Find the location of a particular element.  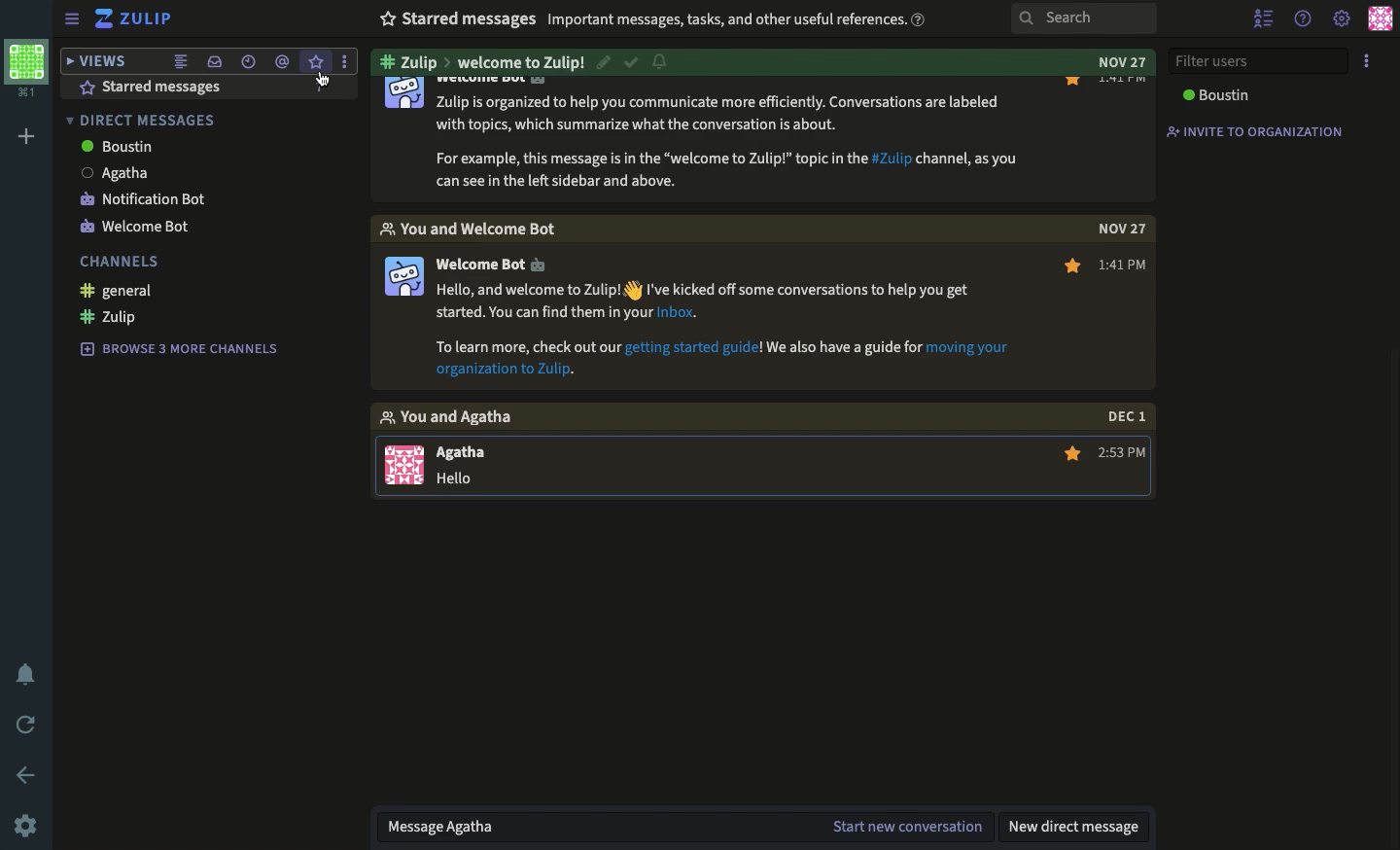

bot image is located at coordinates (402, 94).